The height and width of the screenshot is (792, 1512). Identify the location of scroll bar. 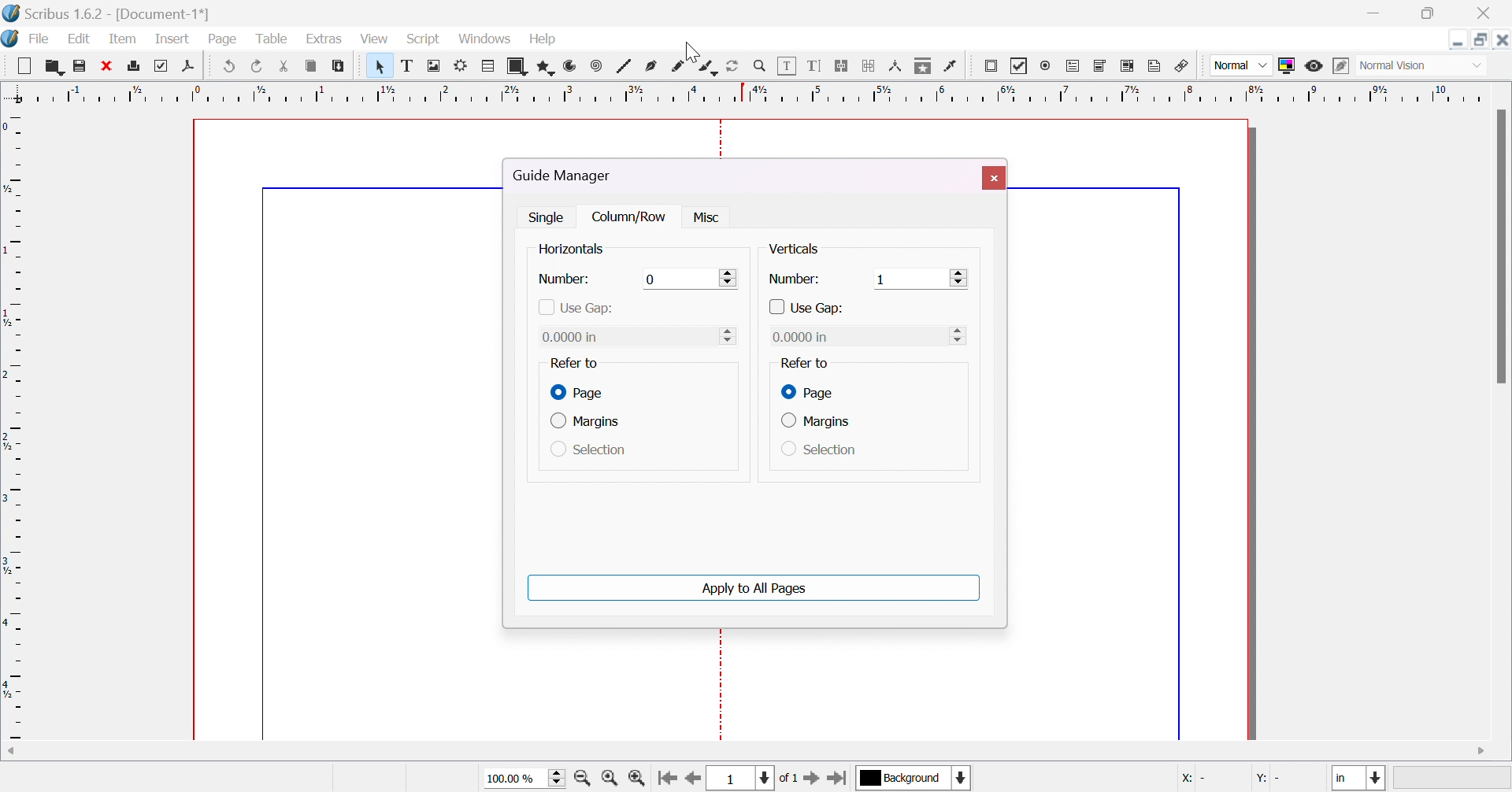
(1503, 246).